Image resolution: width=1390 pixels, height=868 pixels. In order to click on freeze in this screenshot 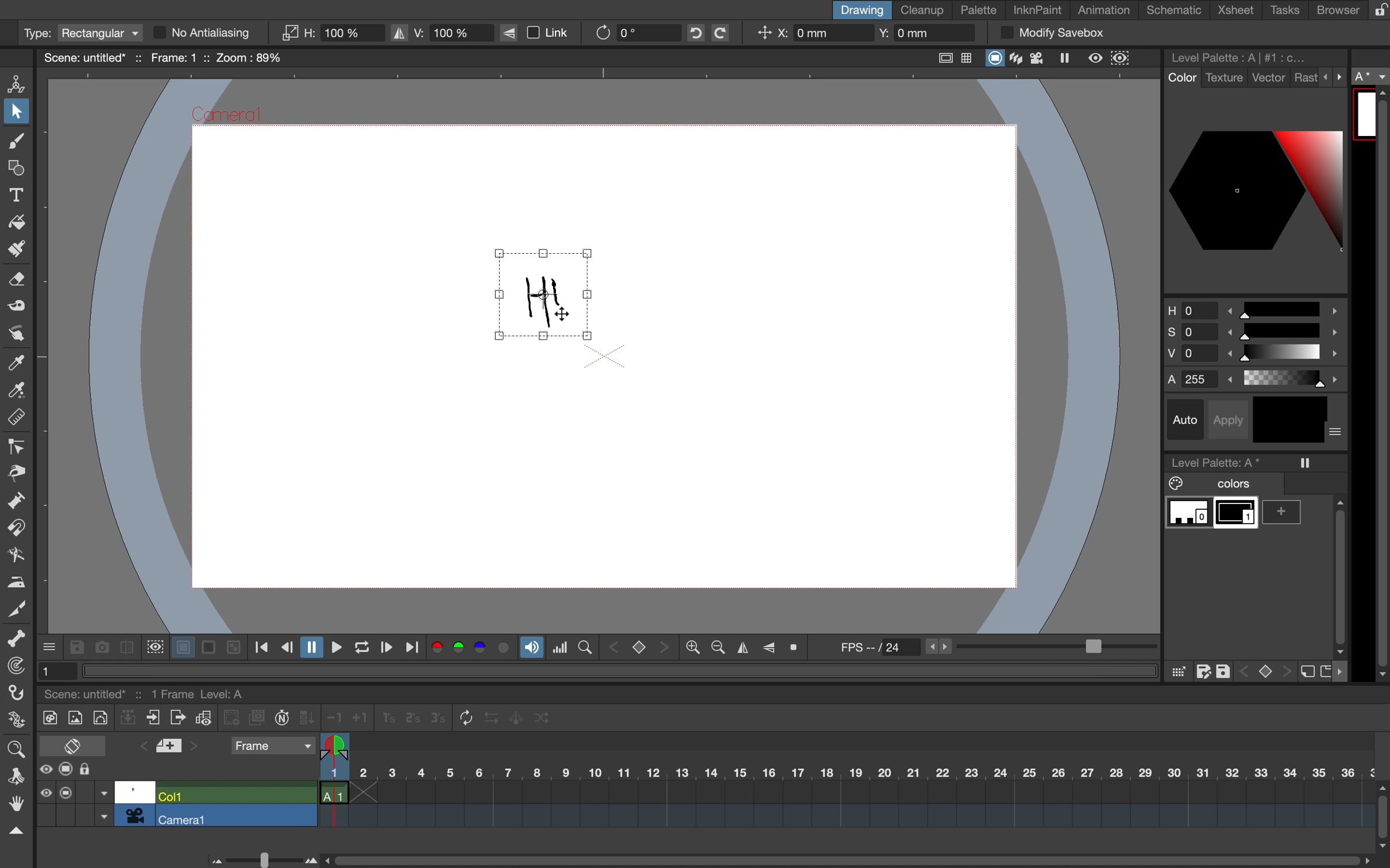, I will do `click(1069, 60)`.